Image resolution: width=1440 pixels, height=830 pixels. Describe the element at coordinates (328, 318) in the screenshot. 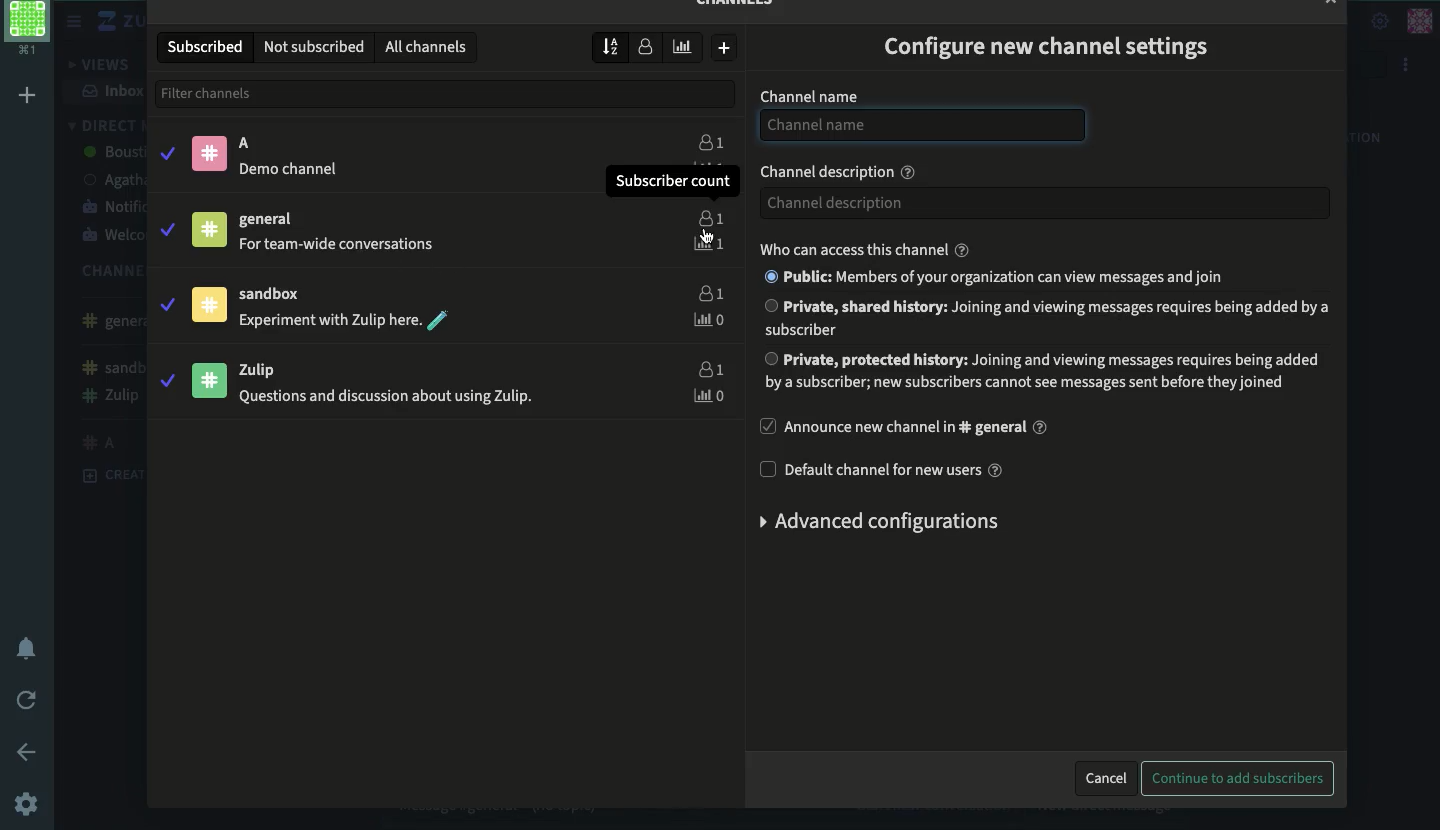

I see `Experiment with Zulip here.` at that location.